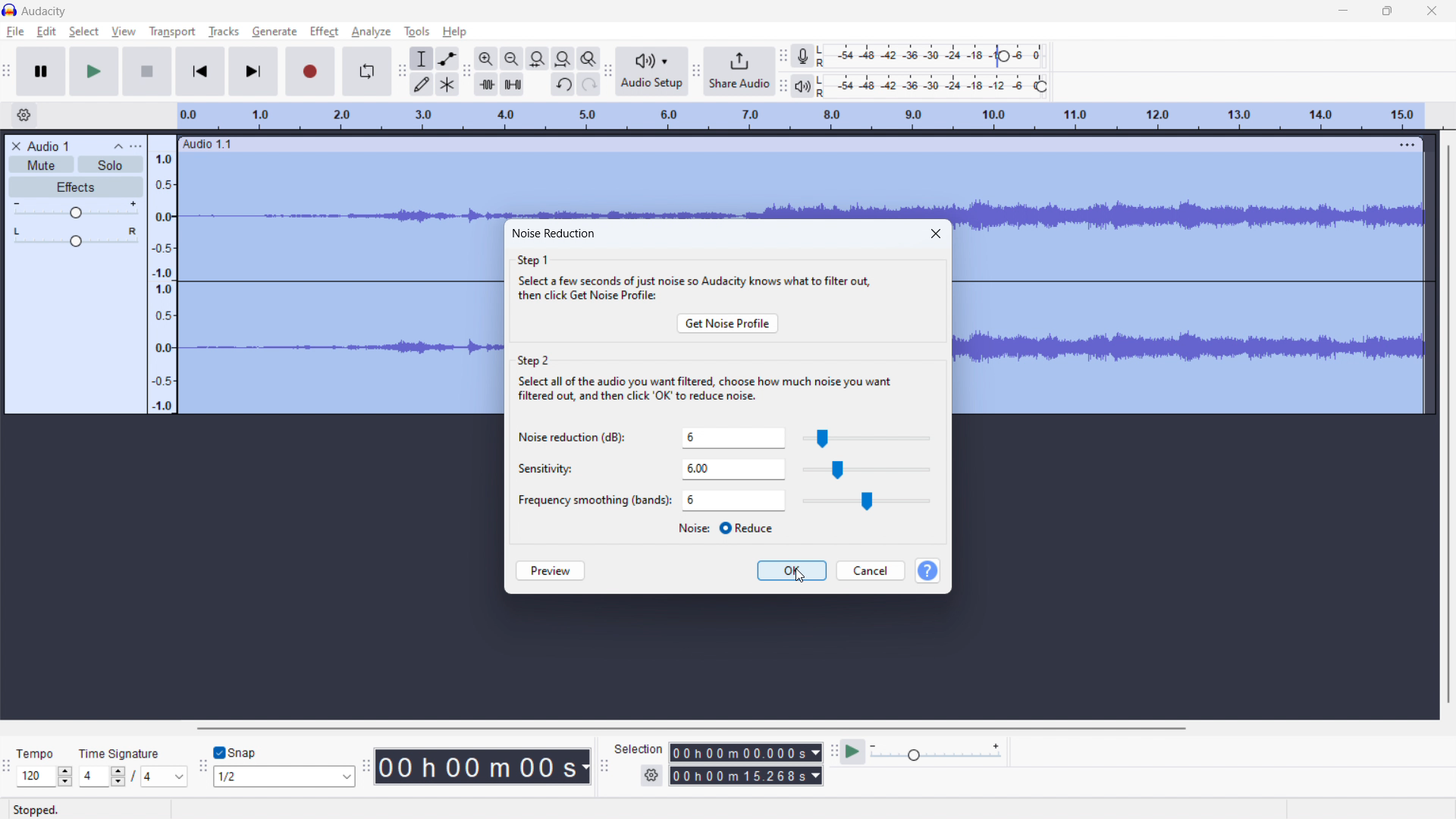 The width and height of the screenshot is (1456, 819). I want to click on silence selection, so click(512, 84).